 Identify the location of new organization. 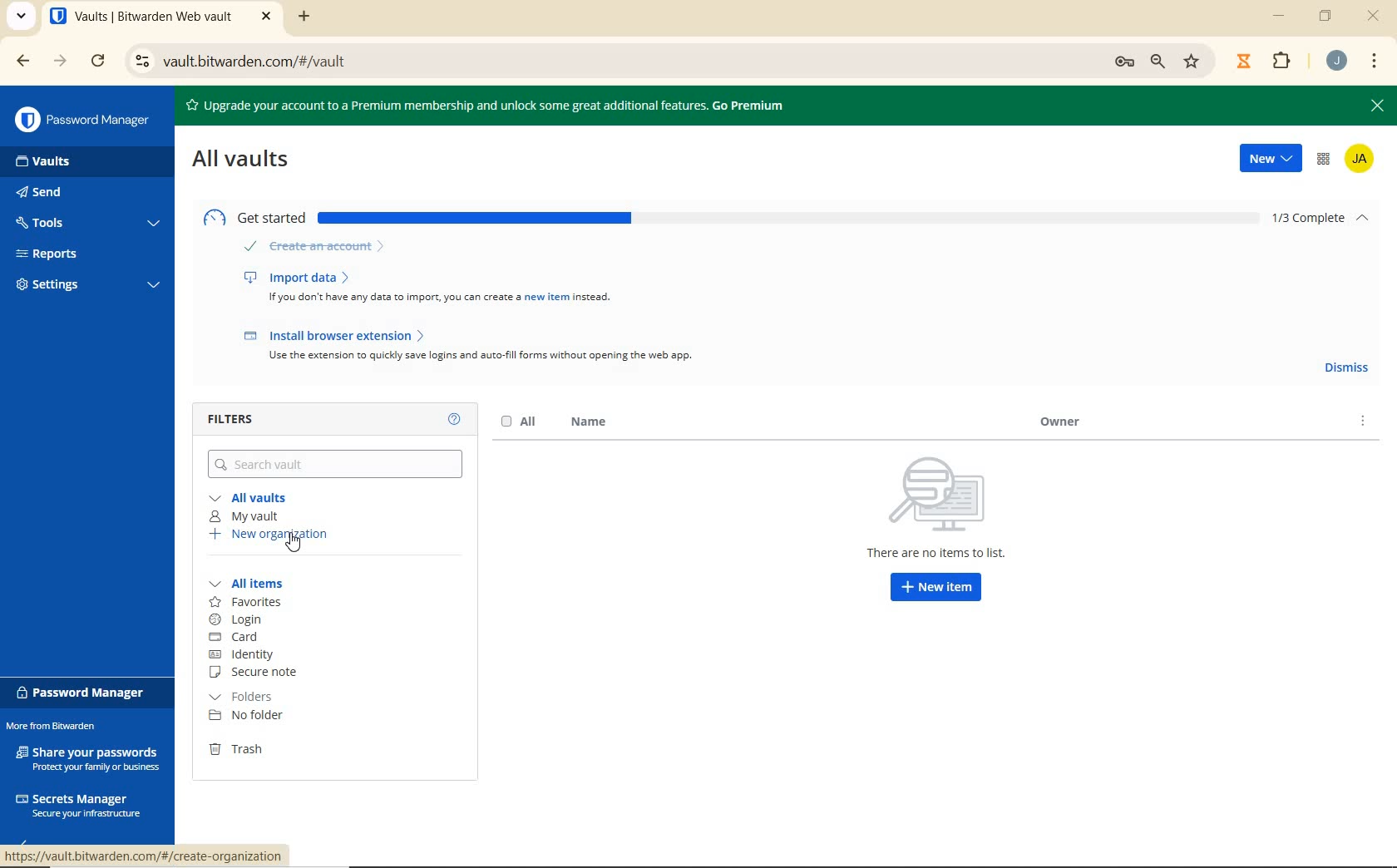
(269, 535).